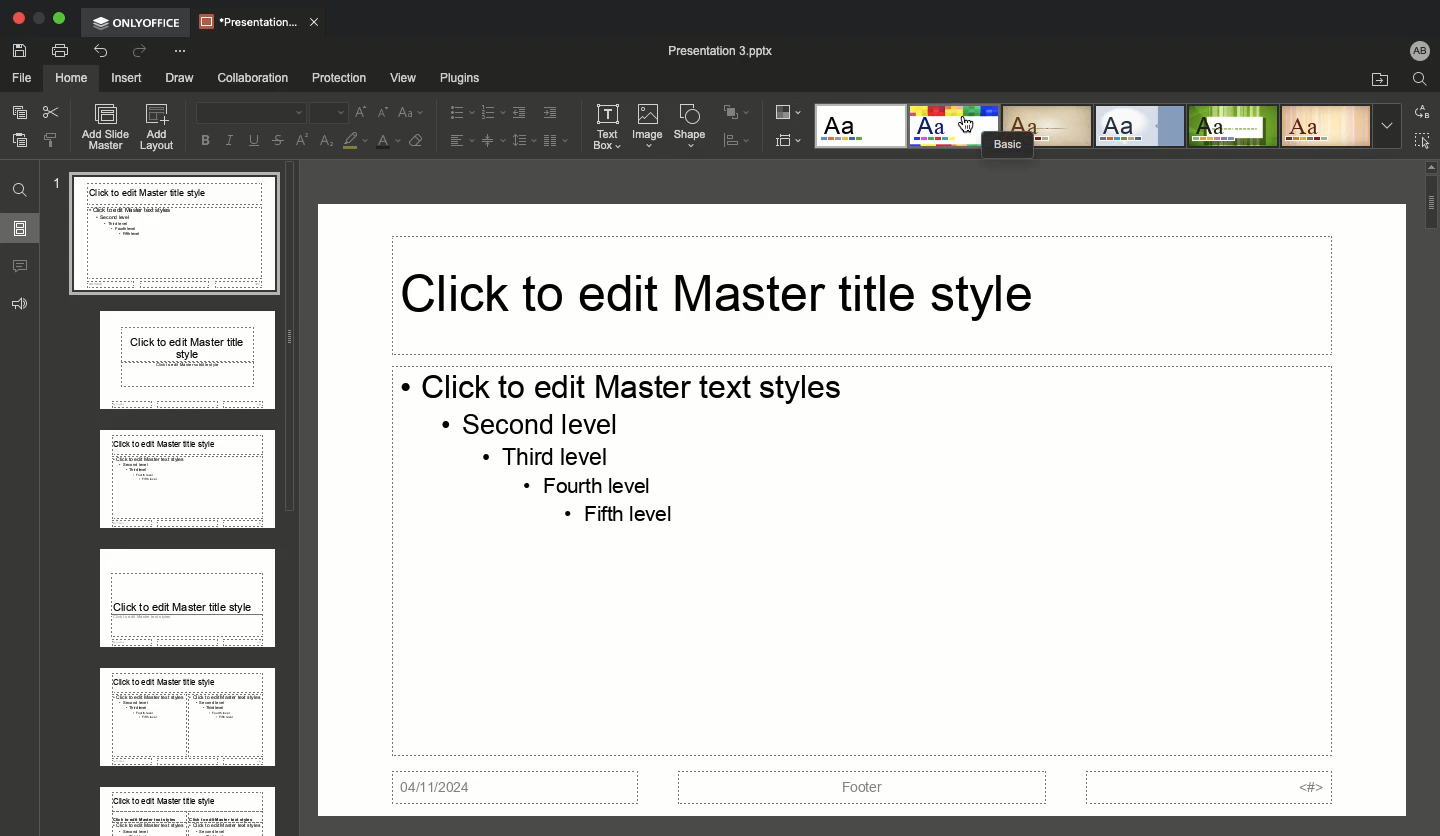 This screenshot has width=1440, height=836. What do you see at coordinates (692, 128) in the screenshot?
I see `Shape` at bounding box center [692, 128].